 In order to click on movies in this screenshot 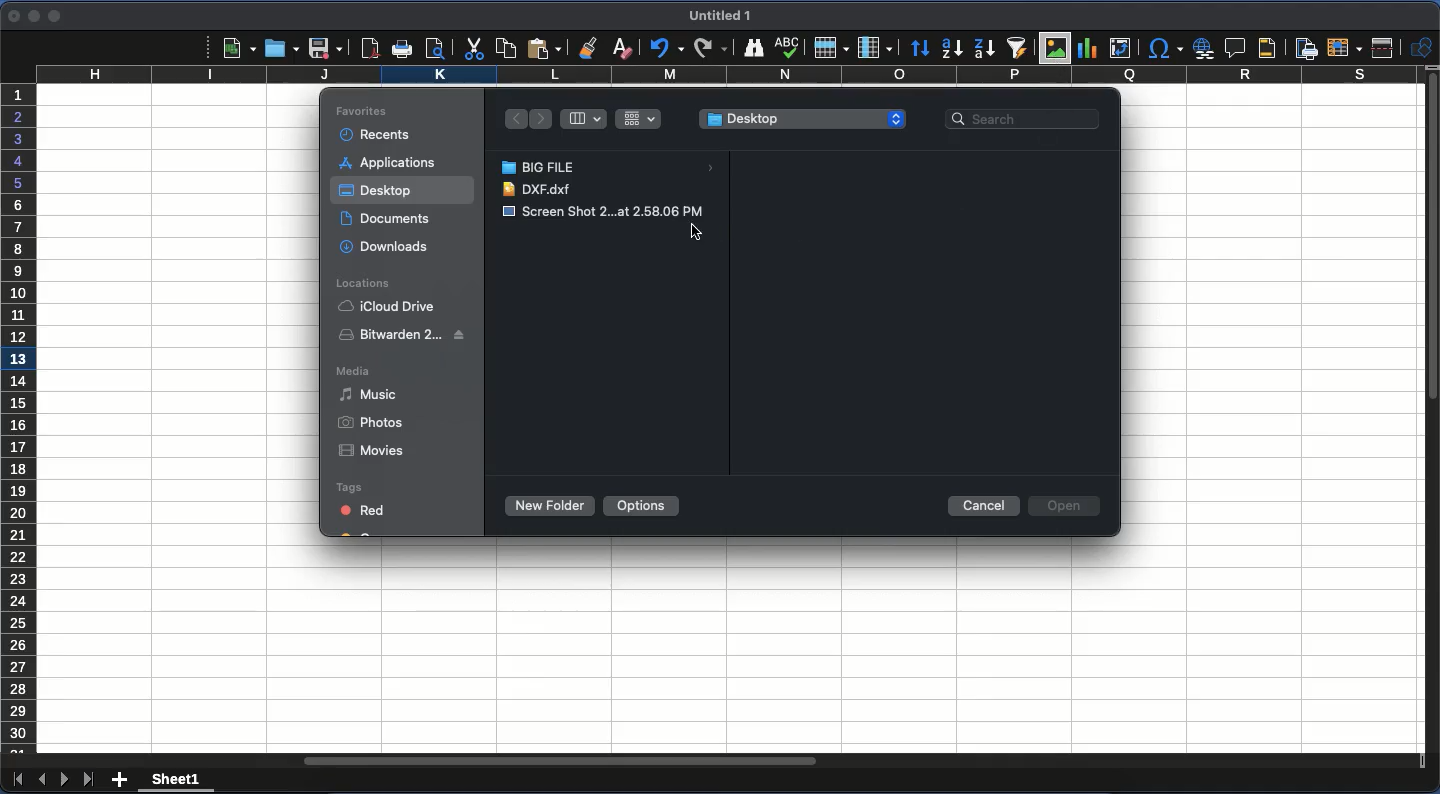, I will do `click(373, 449)`.